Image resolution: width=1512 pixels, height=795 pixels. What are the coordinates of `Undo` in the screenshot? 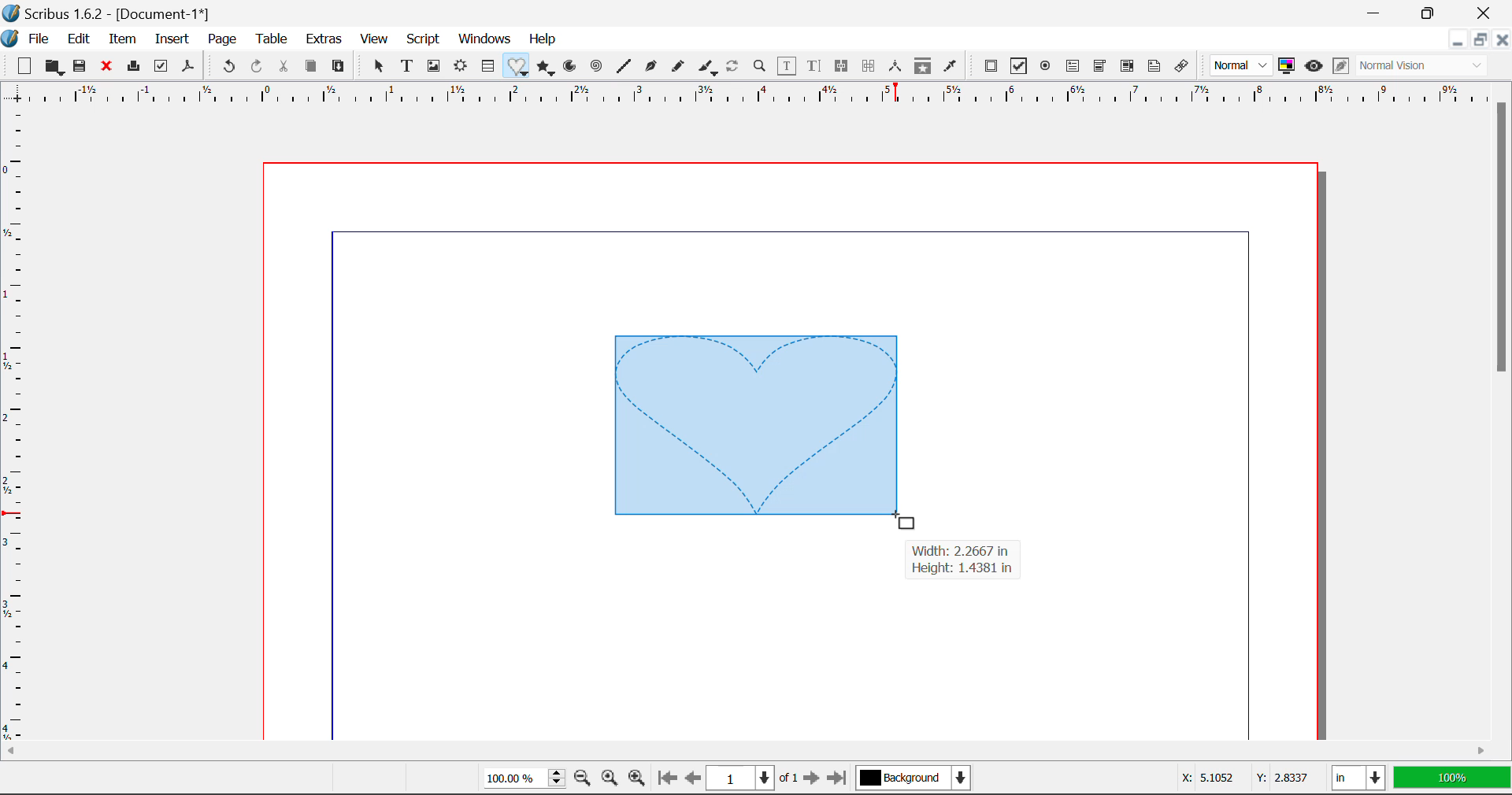 It's located at (226, 67).